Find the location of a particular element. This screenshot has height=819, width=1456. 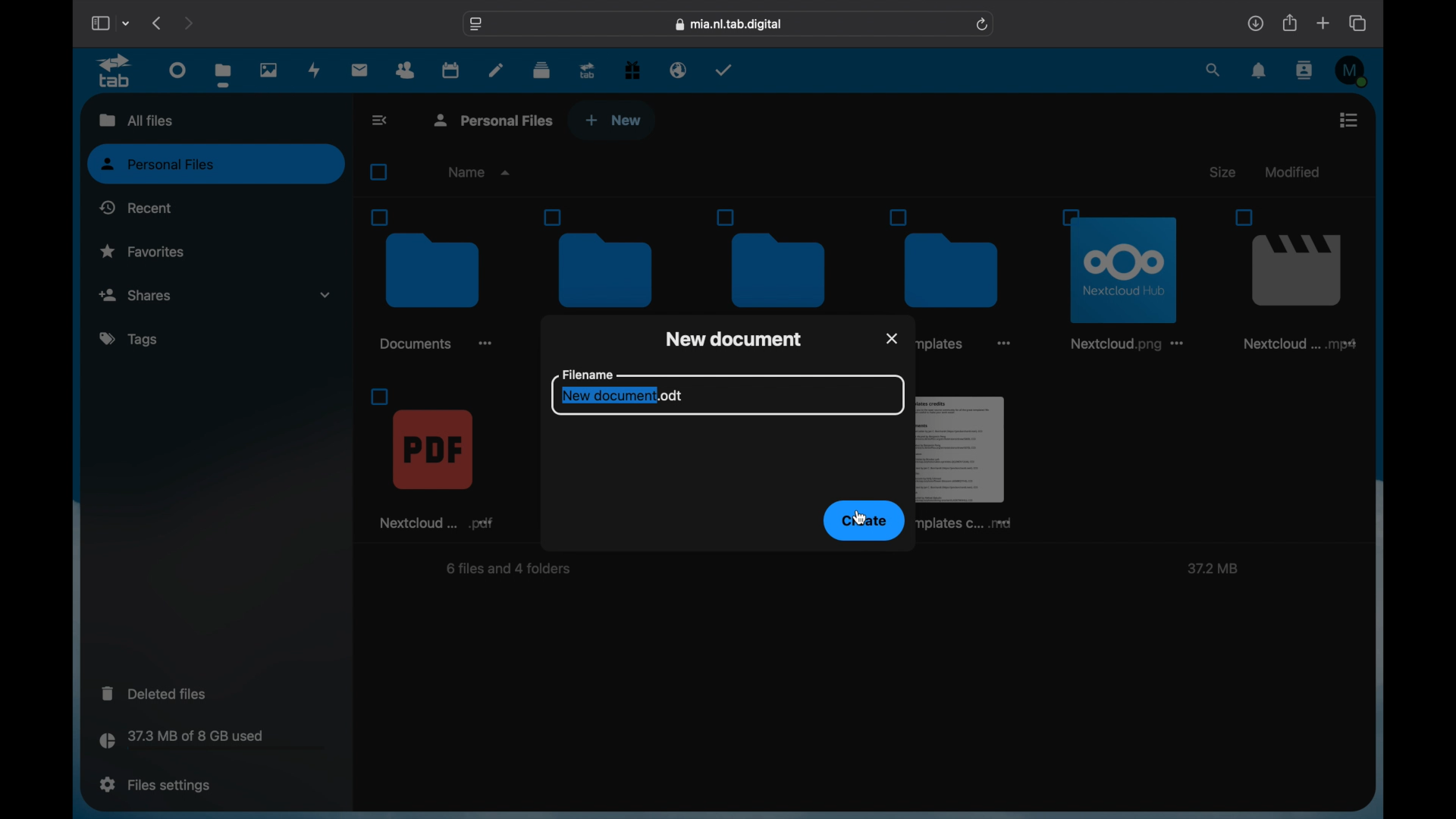

back is located at coordinates (381, 120).